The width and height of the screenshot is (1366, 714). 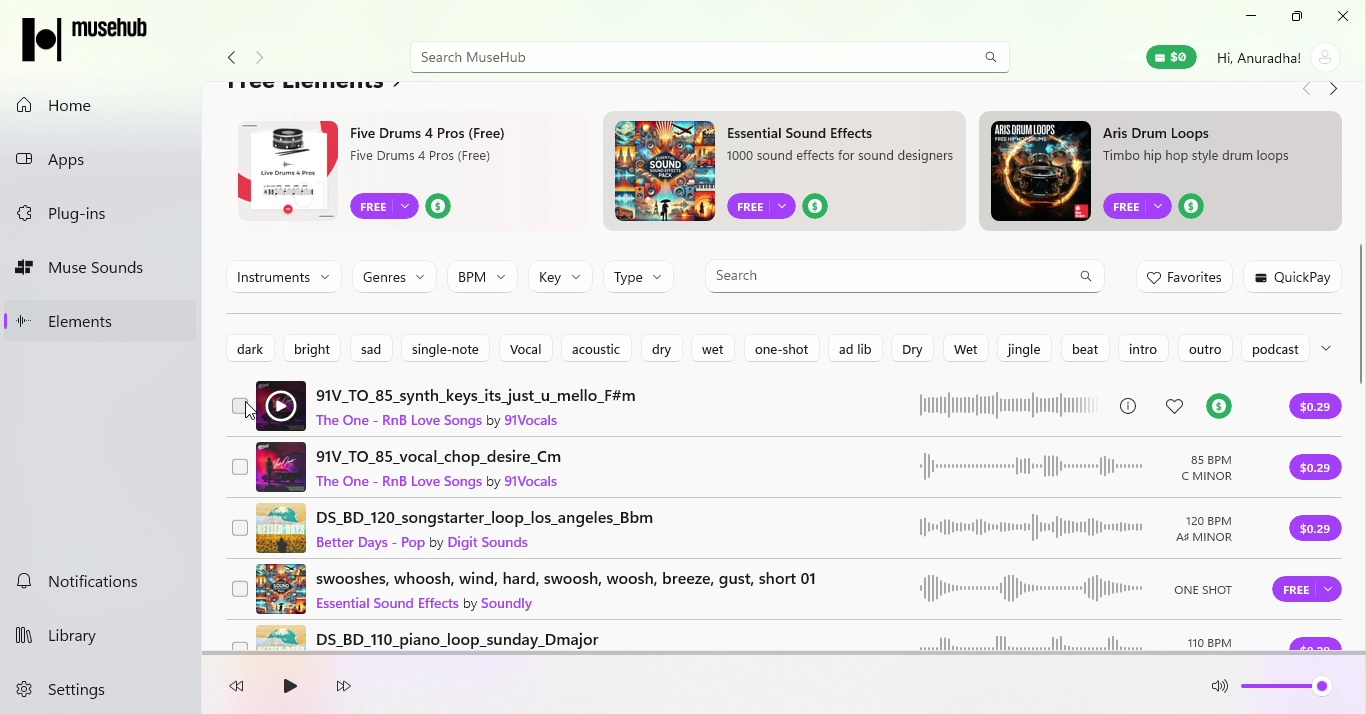 I want to click on dry, so click(x=664, y=350).